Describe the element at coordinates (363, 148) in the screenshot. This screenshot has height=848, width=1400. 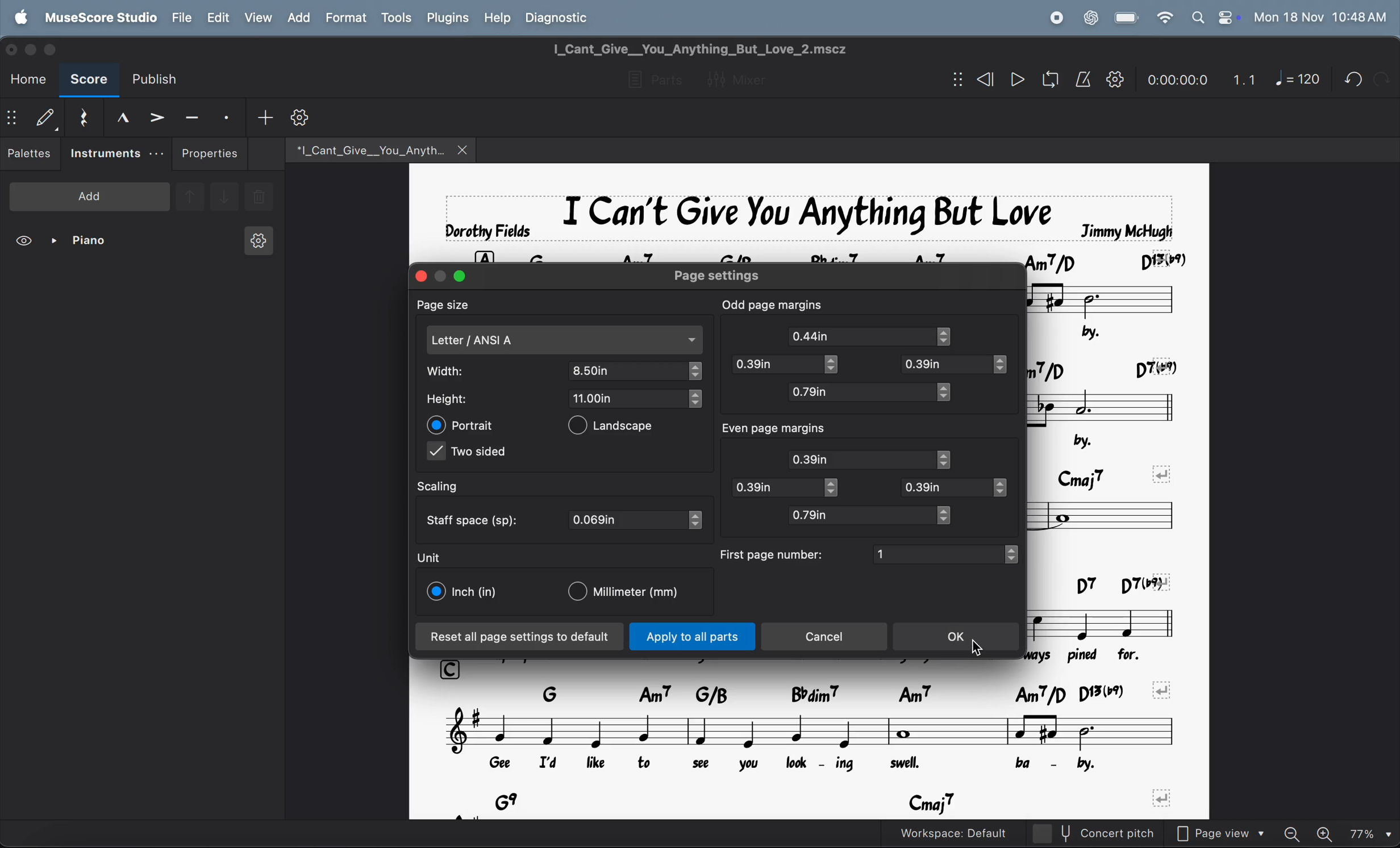
I see `file name` at that location.